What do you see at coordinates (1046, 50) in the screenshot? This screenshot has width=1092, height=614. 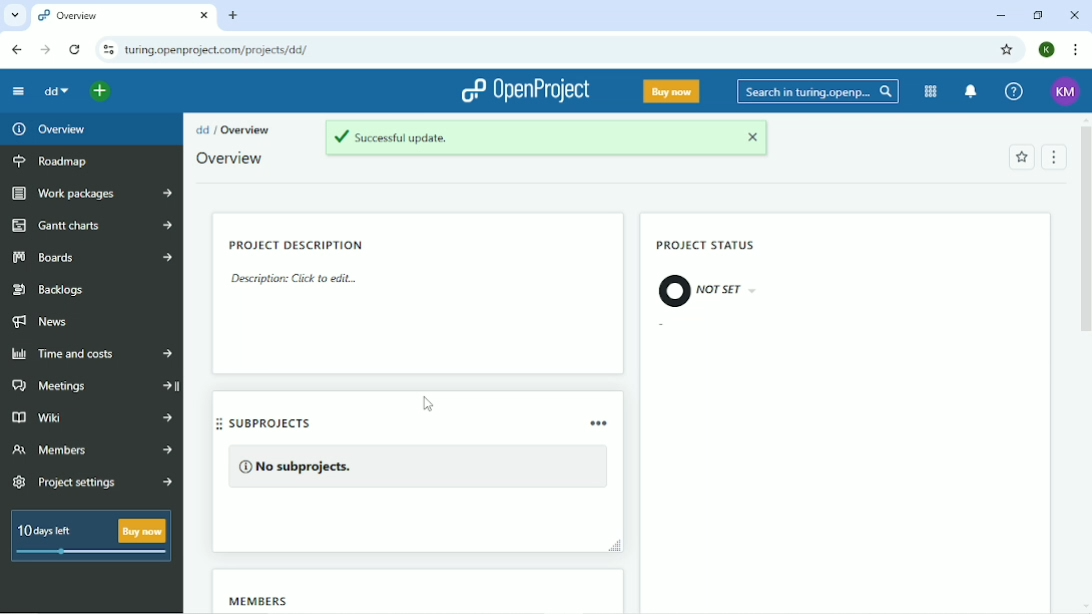 I see `Account` at bounding box center [1046, 50].